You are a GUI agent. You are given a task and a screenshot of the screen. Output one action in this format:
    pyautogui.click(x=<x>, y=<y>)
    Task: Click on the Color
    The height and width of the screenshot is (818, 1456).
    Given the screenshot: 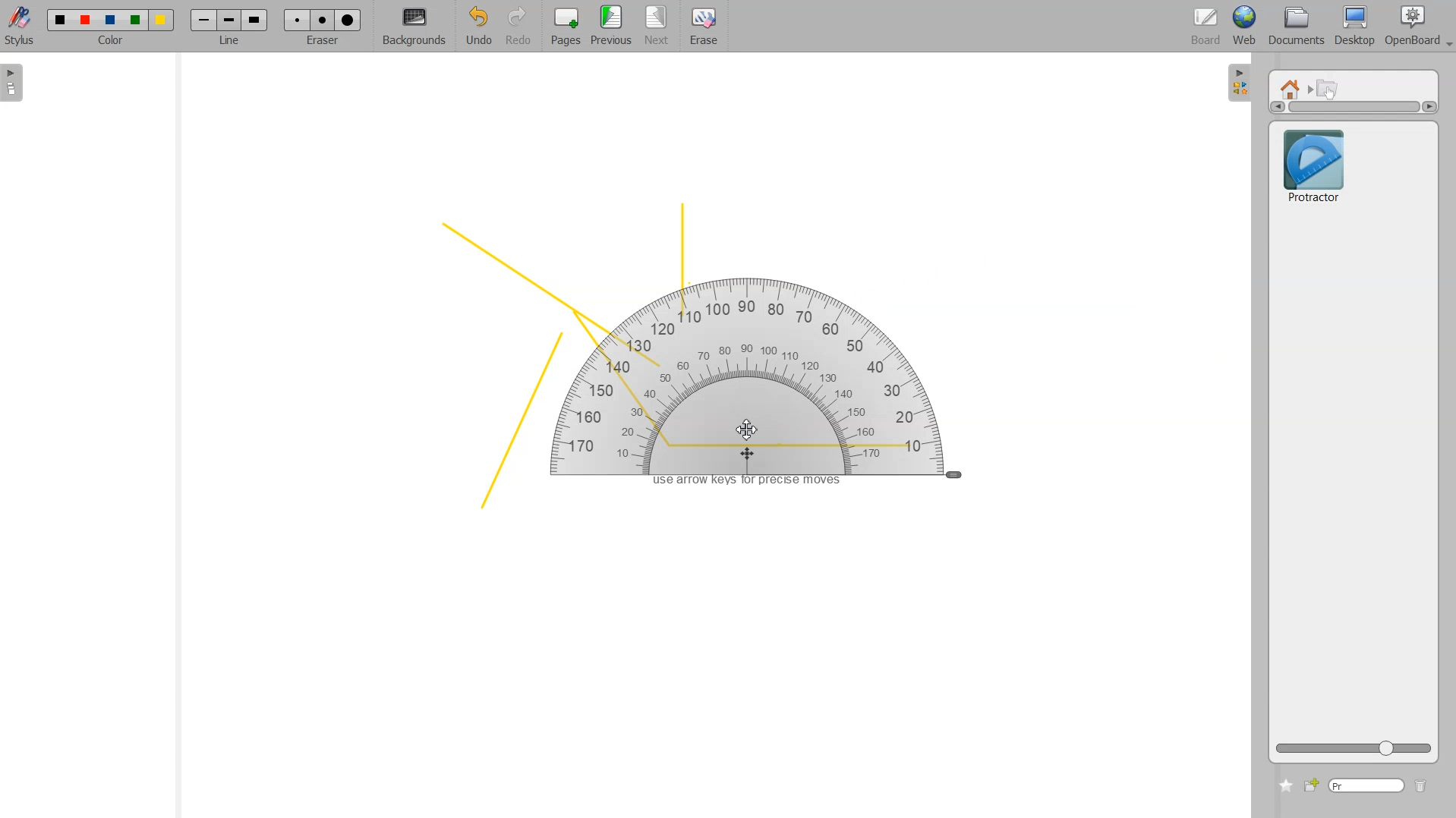 What is the action you would take?
    pyautogui.click(x=111, y=20)
    